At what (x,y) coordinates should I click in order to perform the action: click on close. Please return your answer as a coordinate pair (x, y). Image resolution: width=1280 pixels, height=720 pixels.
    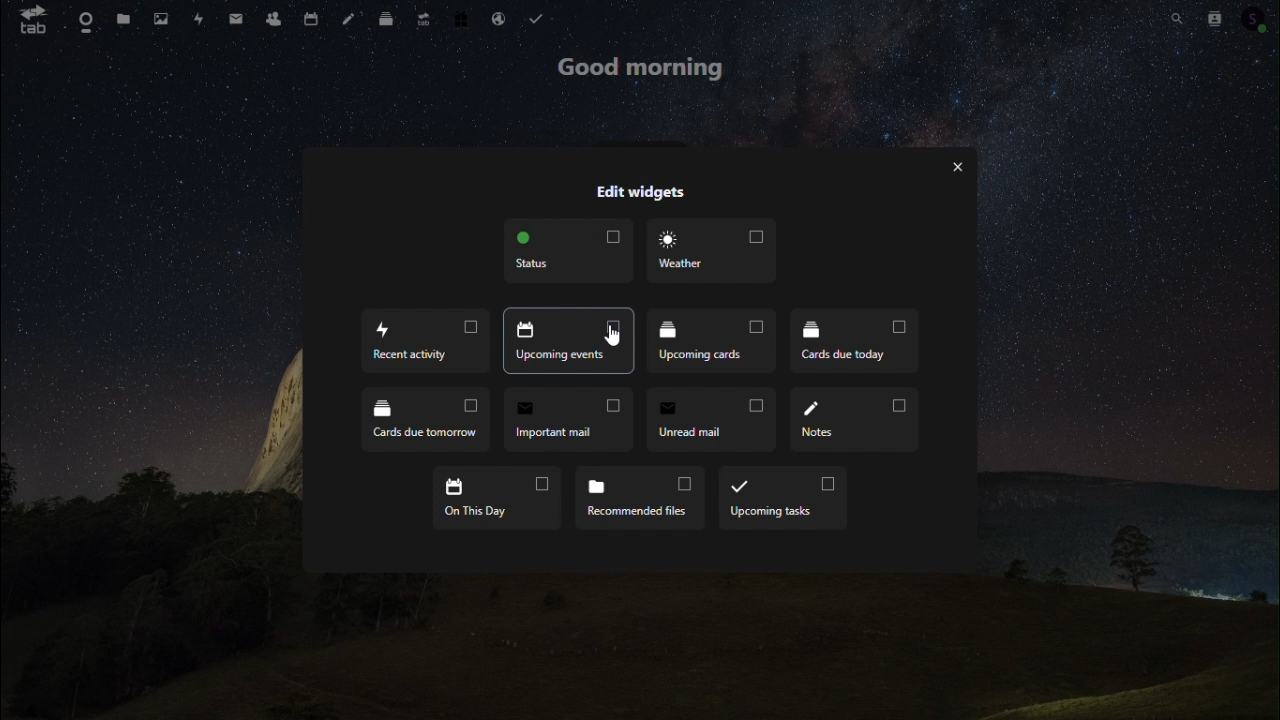
    Looking at the image, I should click on (957, 168).